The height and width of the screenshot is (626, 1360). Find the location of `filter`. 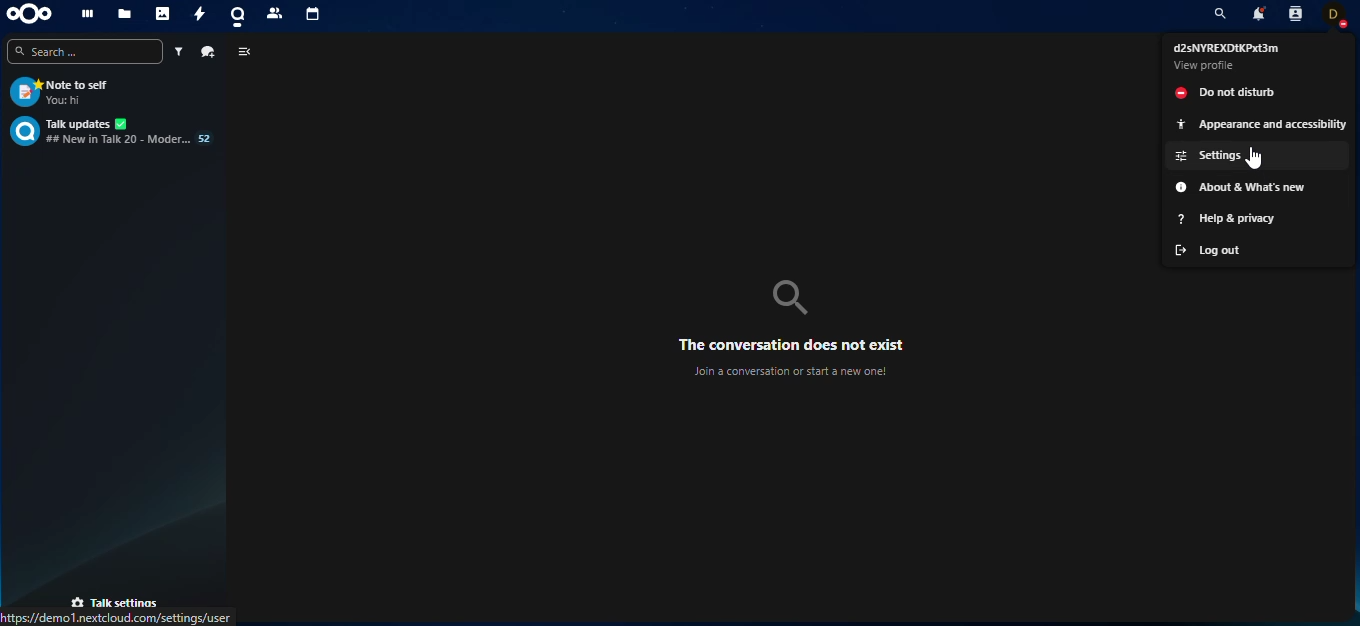

filter is located at coordinates (177, 51).